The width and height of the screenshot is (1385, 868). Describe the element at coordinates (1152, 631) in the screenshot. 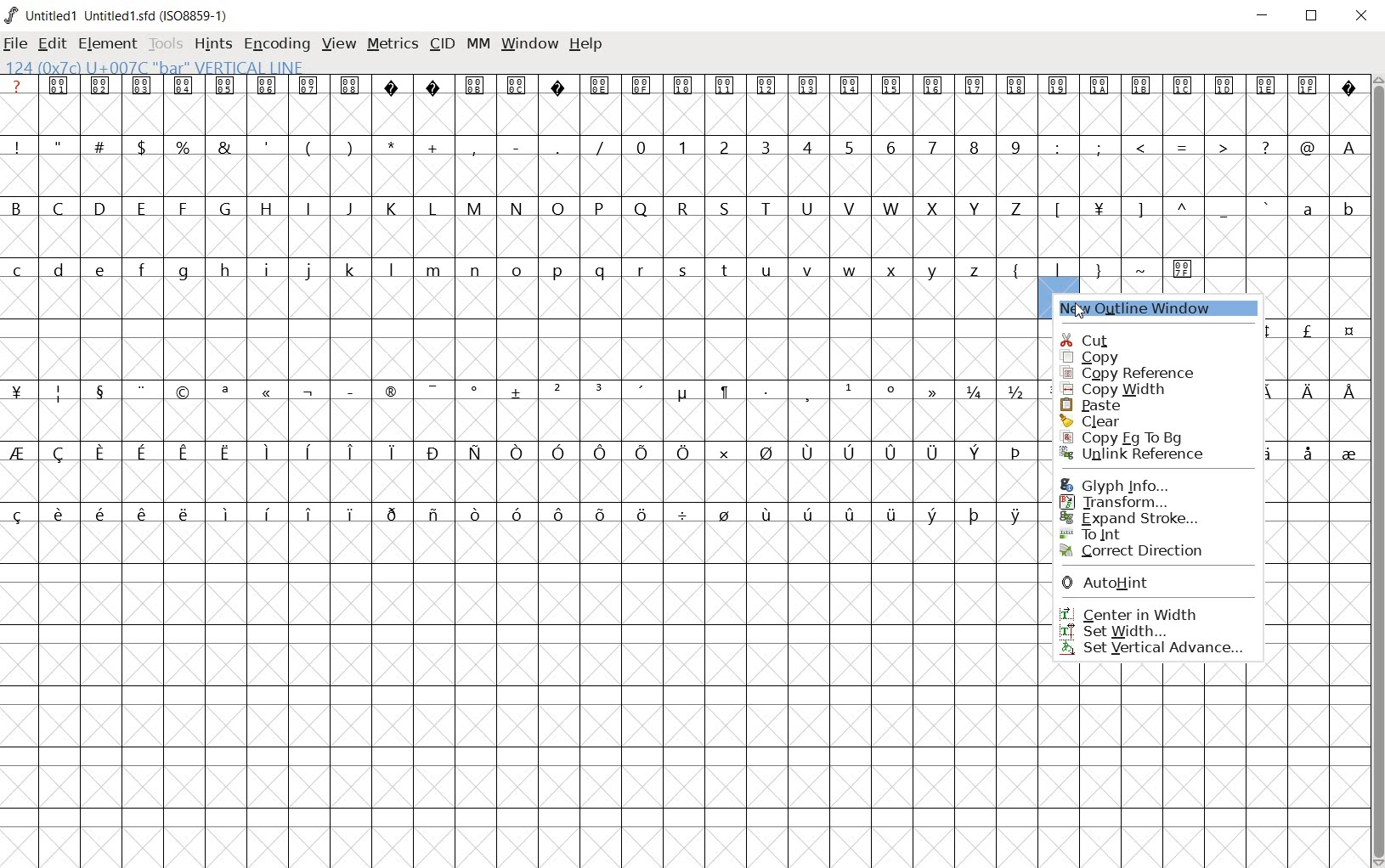

I see `set width` at that location.